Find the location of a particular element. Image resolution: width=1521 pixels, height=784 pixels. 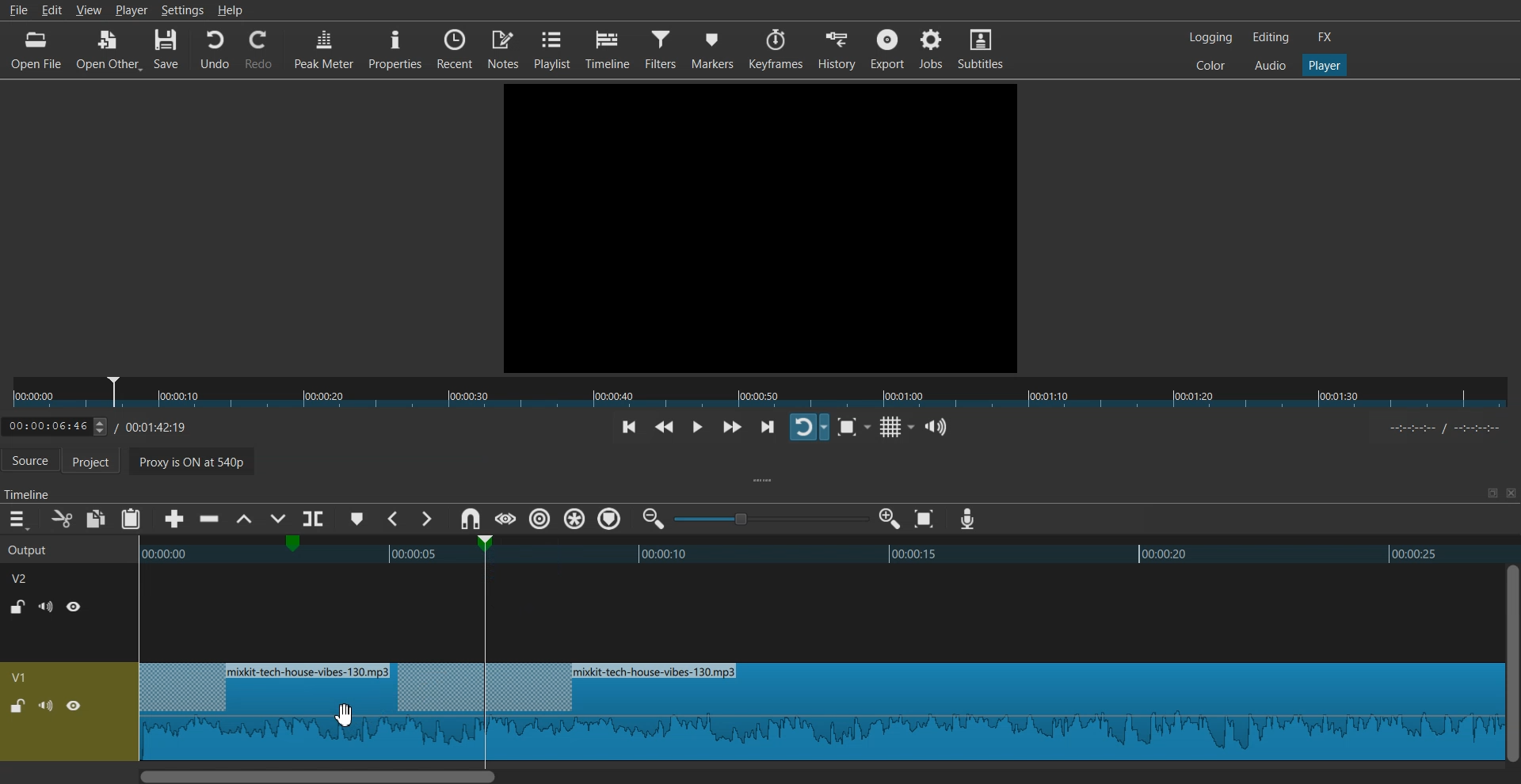

File Preview window is located at coordinates (764, 226).